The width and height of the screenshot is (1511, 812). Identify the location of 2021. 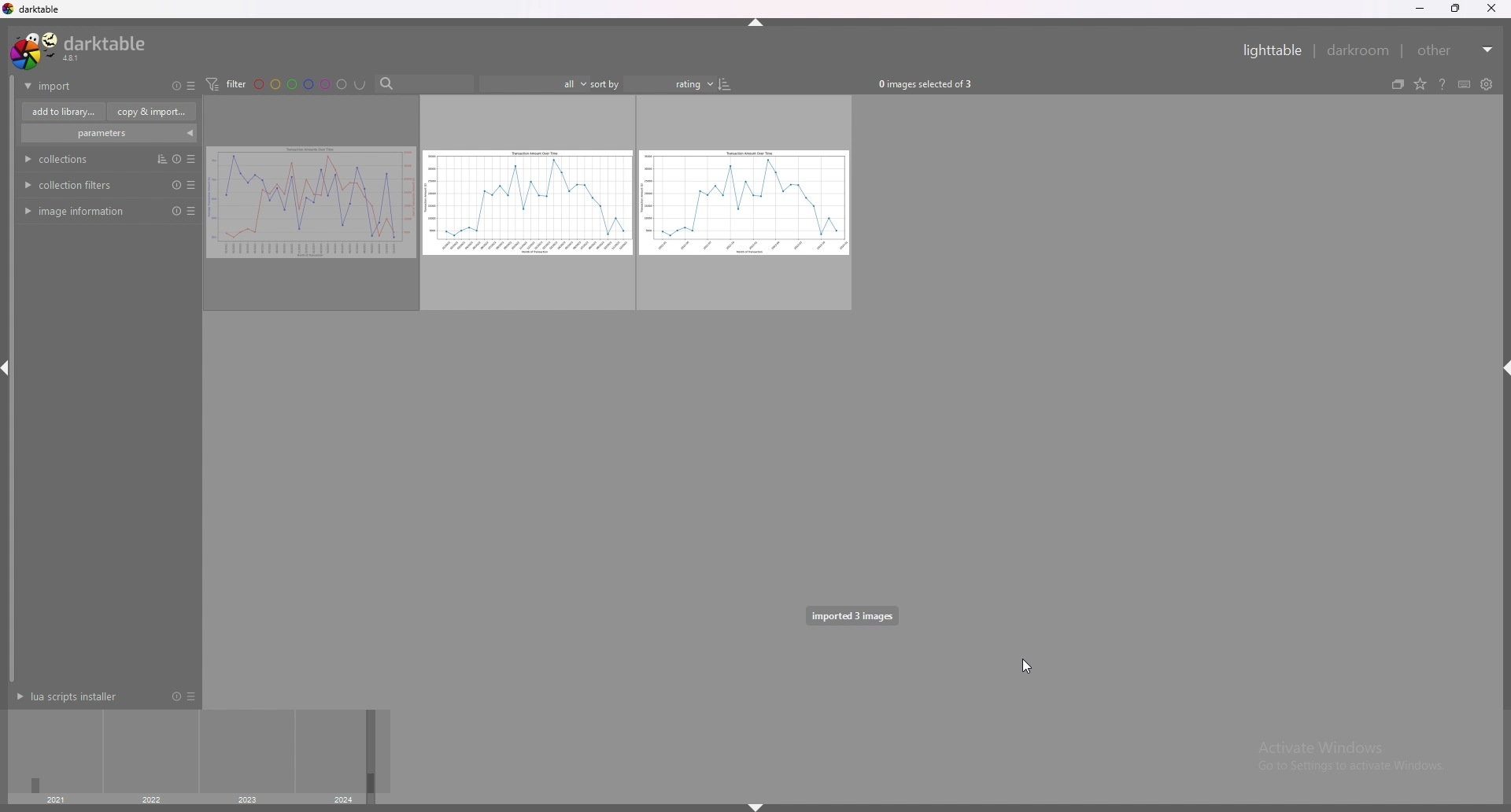
(55, 799).